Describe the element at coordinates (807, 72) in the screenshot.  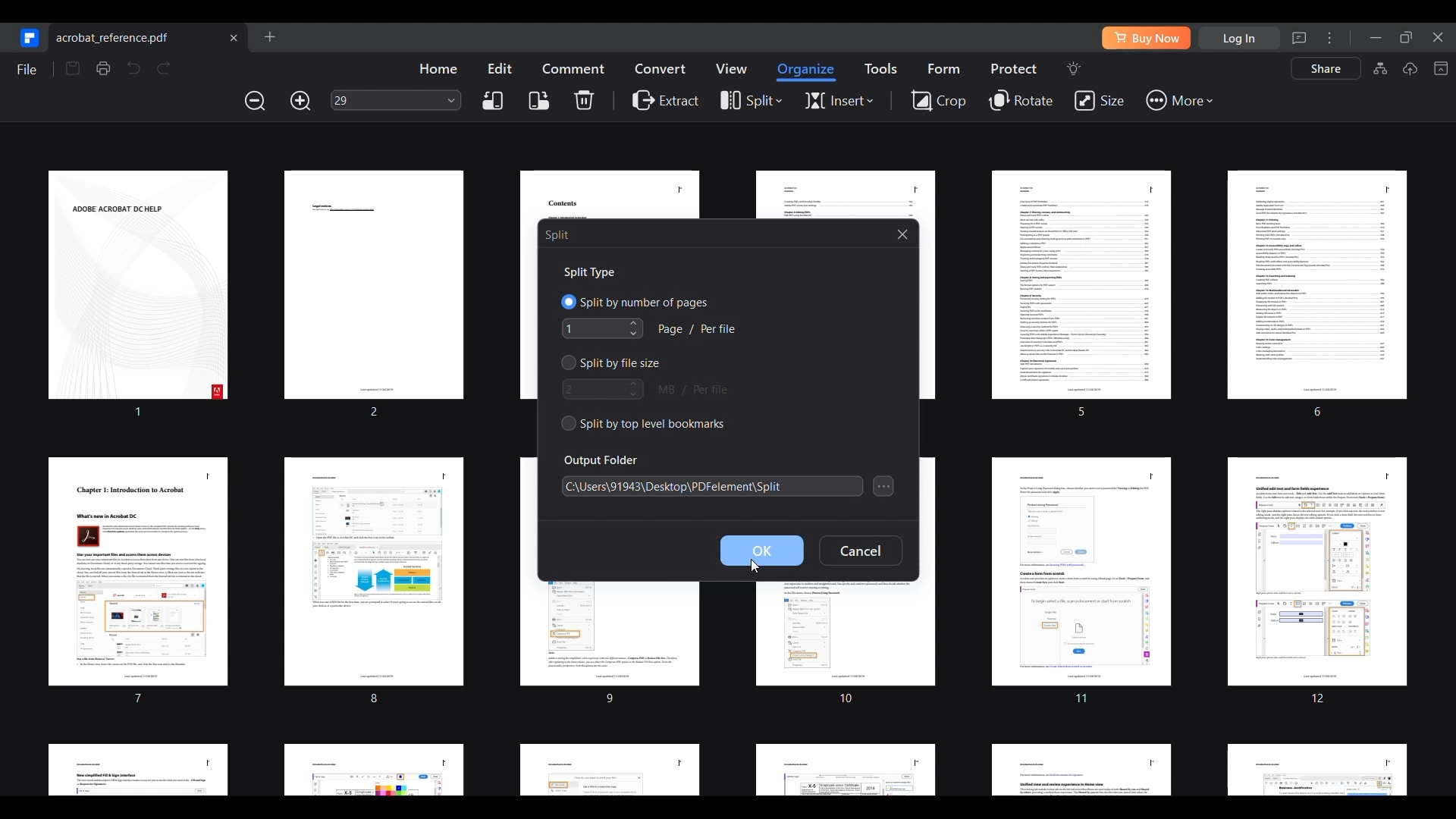
I see `Organize highlighted/Current menu` at that location.